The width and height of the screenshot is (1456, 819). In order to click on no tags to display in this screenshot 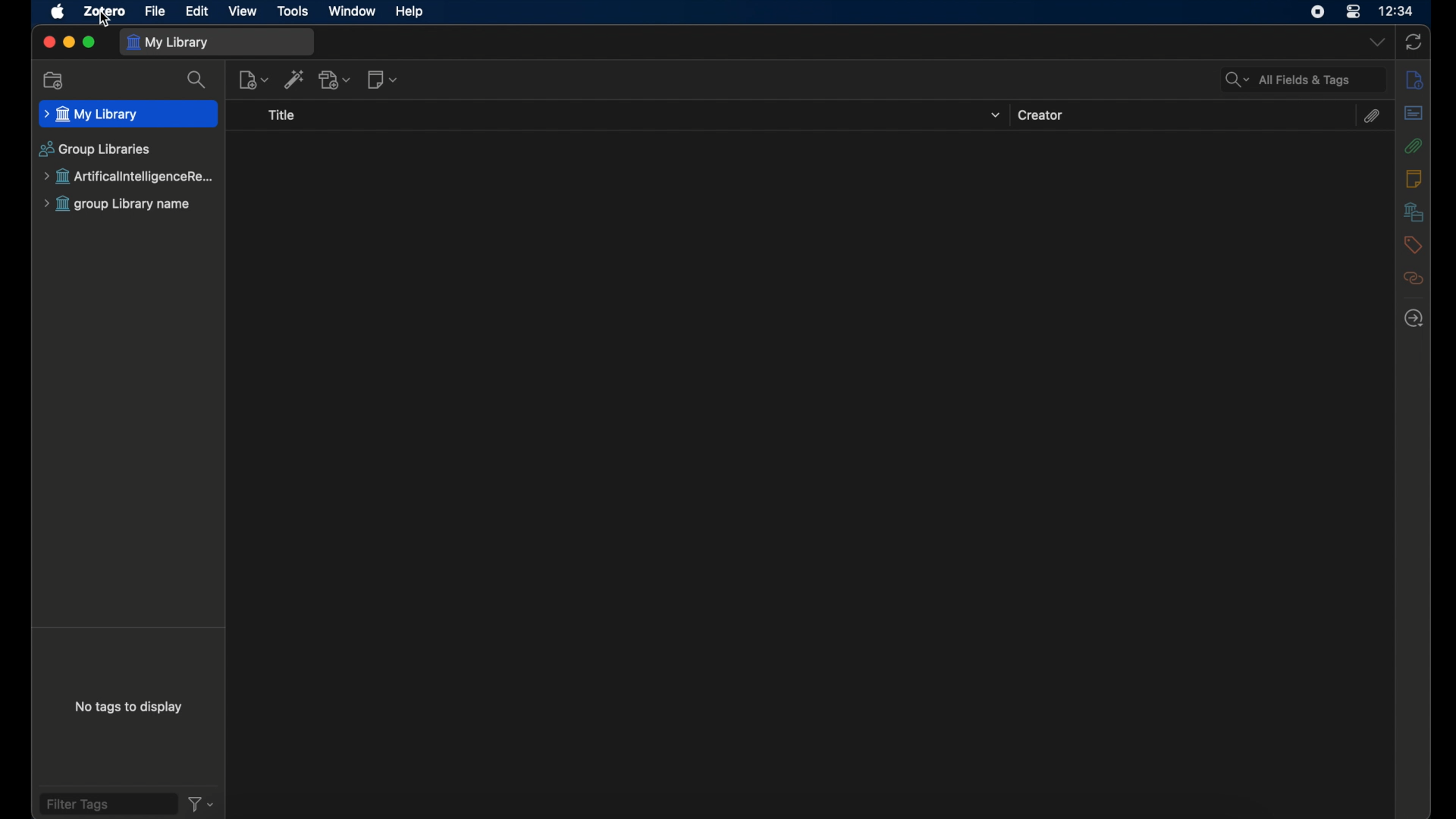, I will do `click(127, 707)`.